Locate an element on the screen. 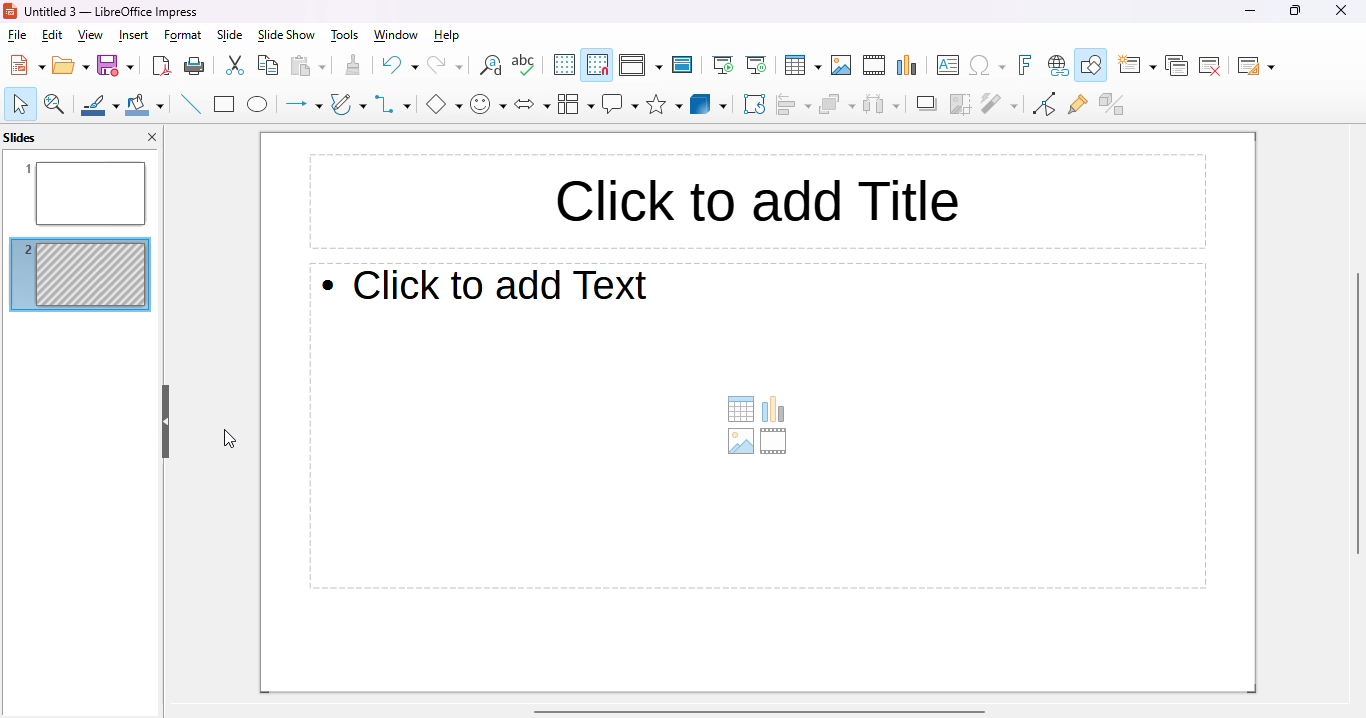 This screenshot has width=1366, height=718. symbol shapes is located at coordinates (488, 106).